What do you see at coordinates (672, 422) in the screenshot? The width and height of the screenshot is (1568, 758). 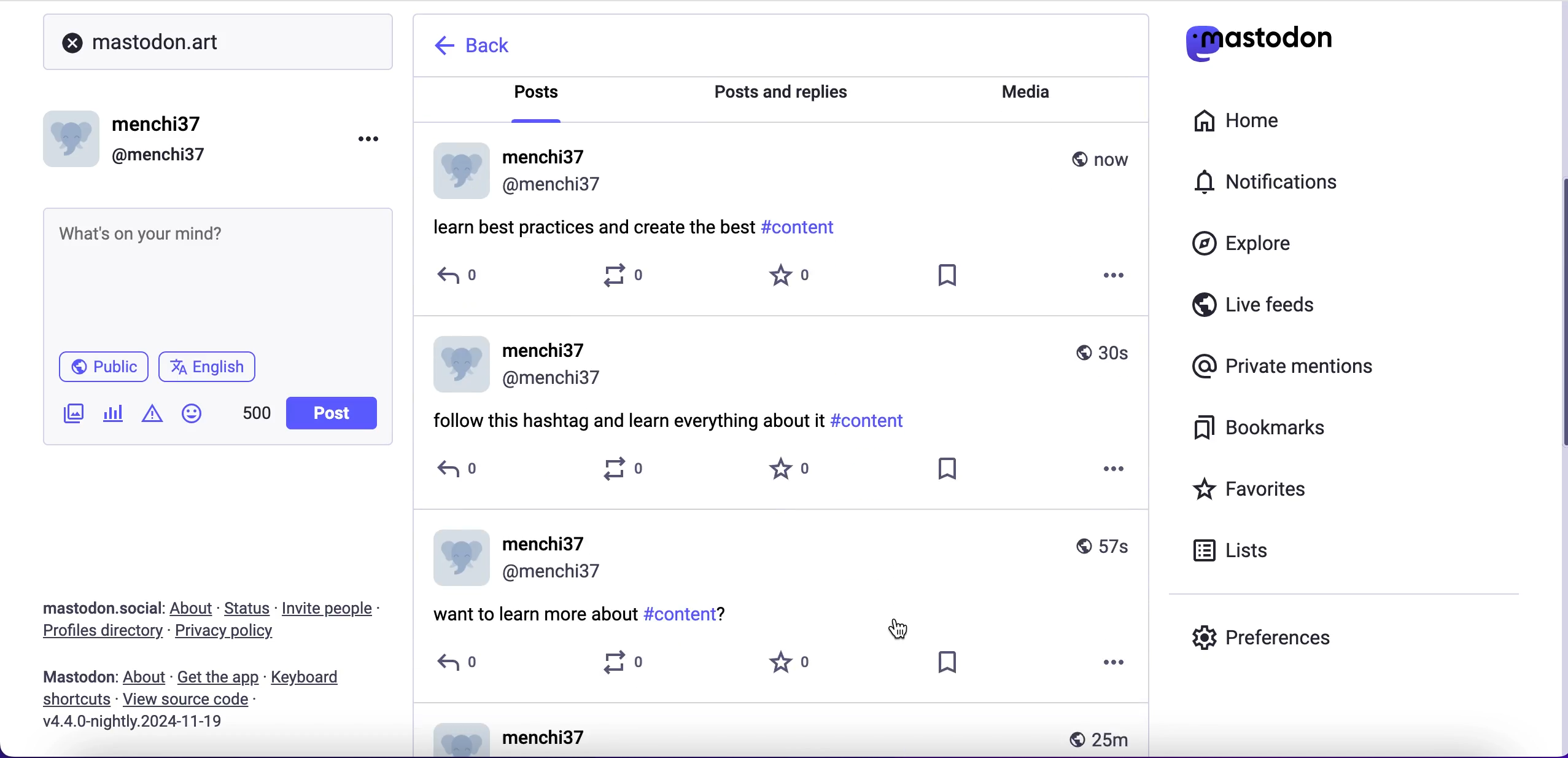 I see `post` at bounding box center [672, 422].